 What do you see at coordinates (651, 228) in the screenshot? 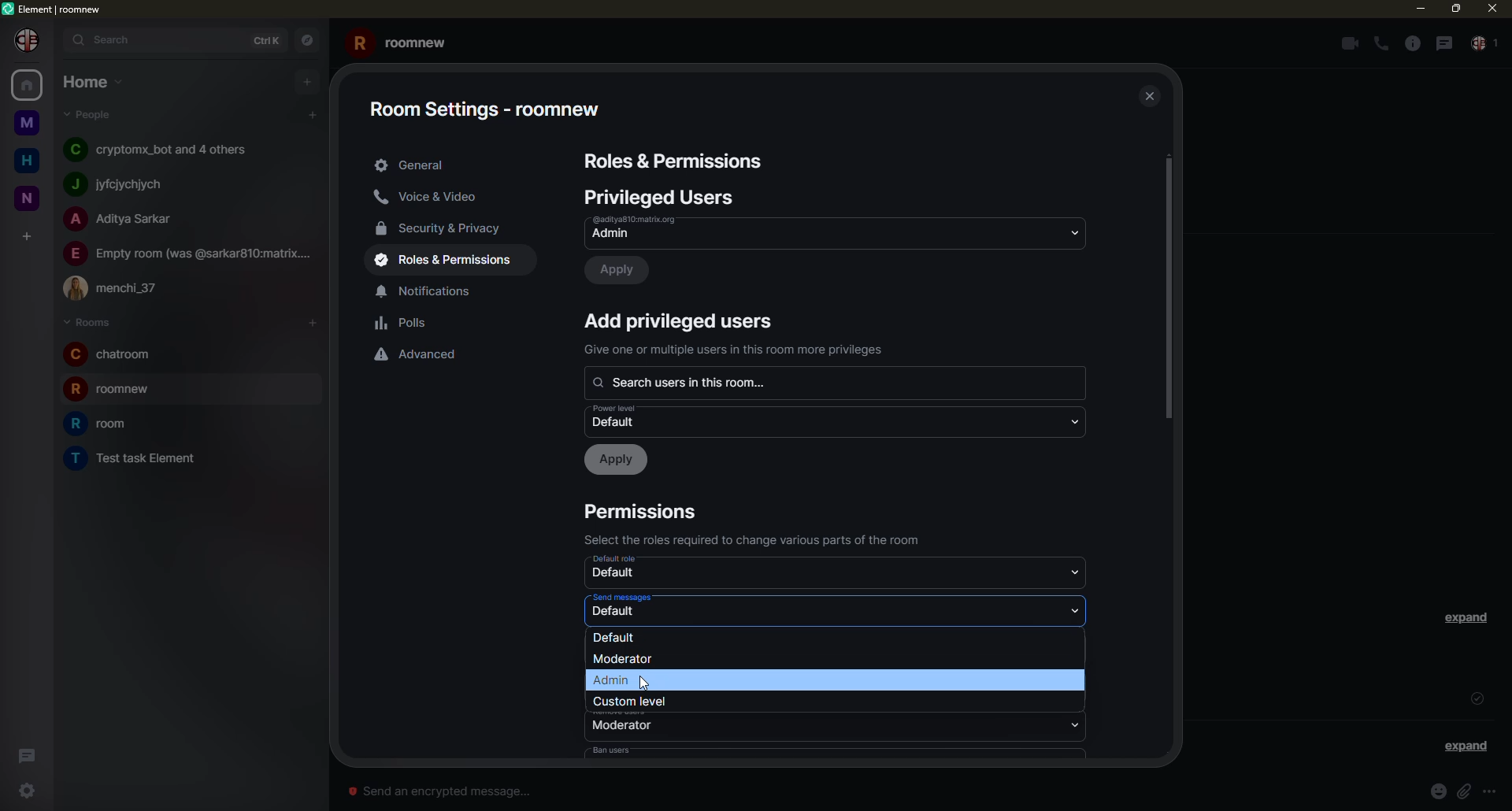
I see `admin` at bounding box center [651, 228].